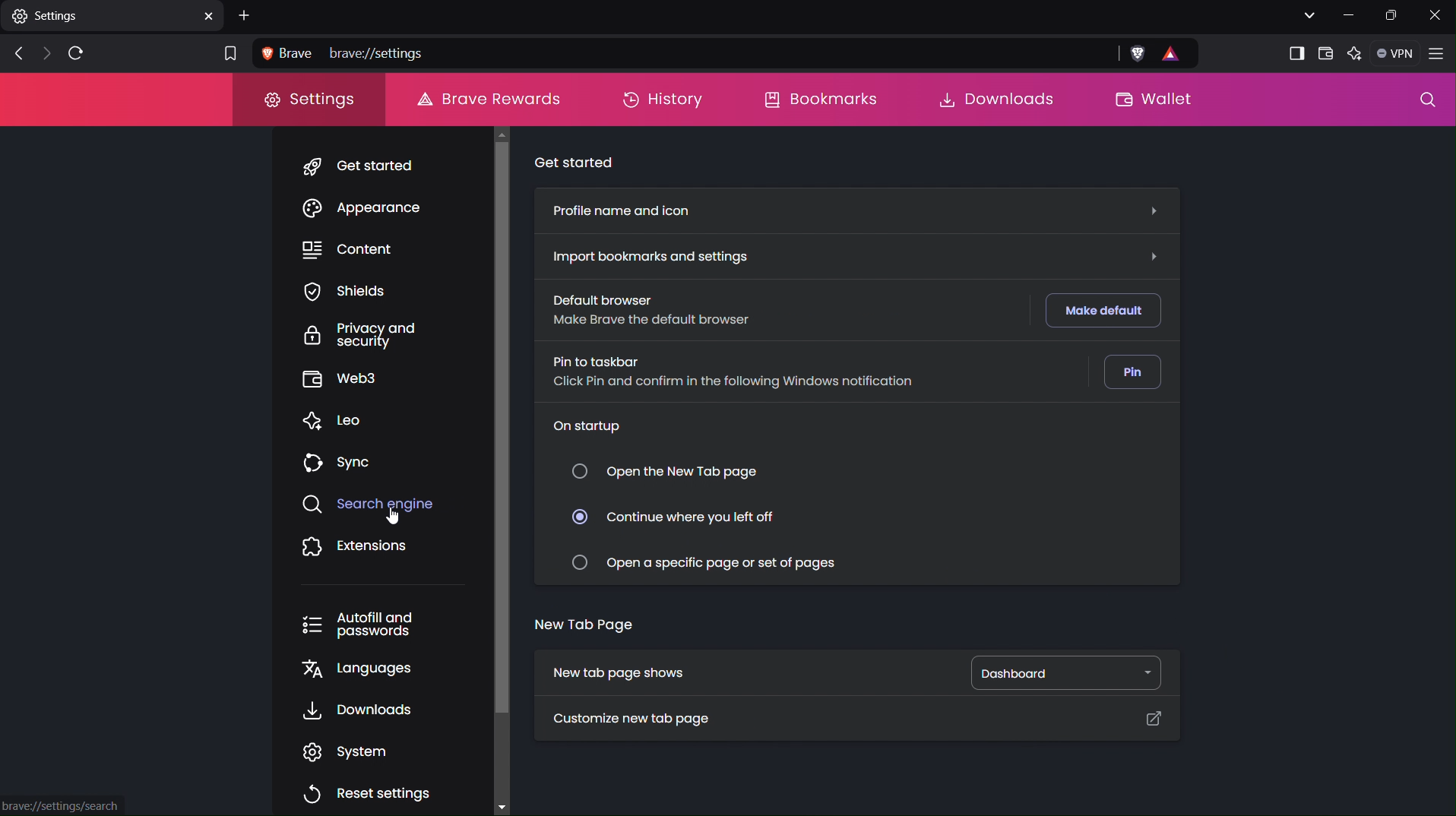  Describe the element at coordinates (1293, 52) in the screenshot. I see `Show sidebar` at that location.